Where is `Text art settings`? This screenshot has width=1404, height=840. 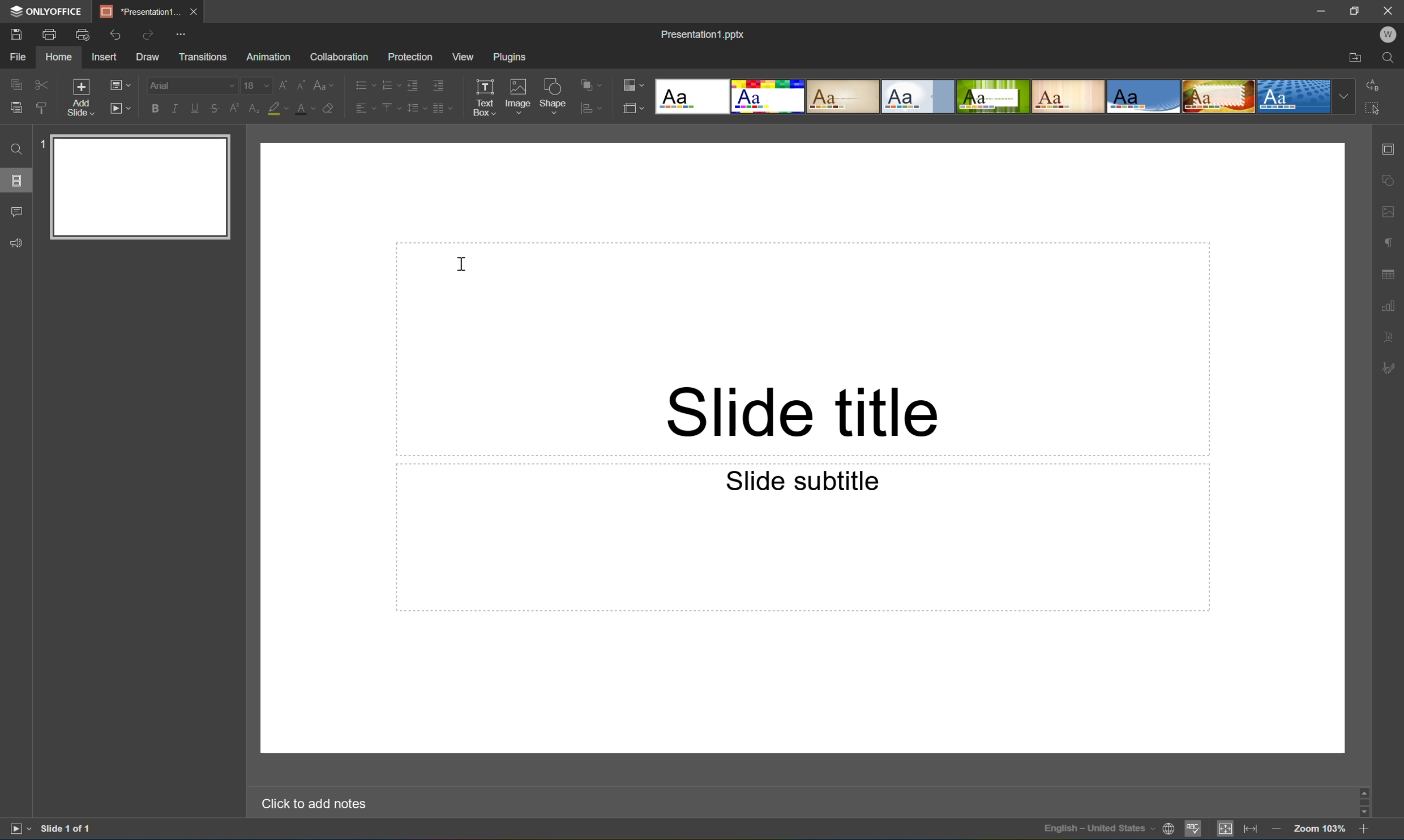
Text art settings is located at coordinates (1390, 336).